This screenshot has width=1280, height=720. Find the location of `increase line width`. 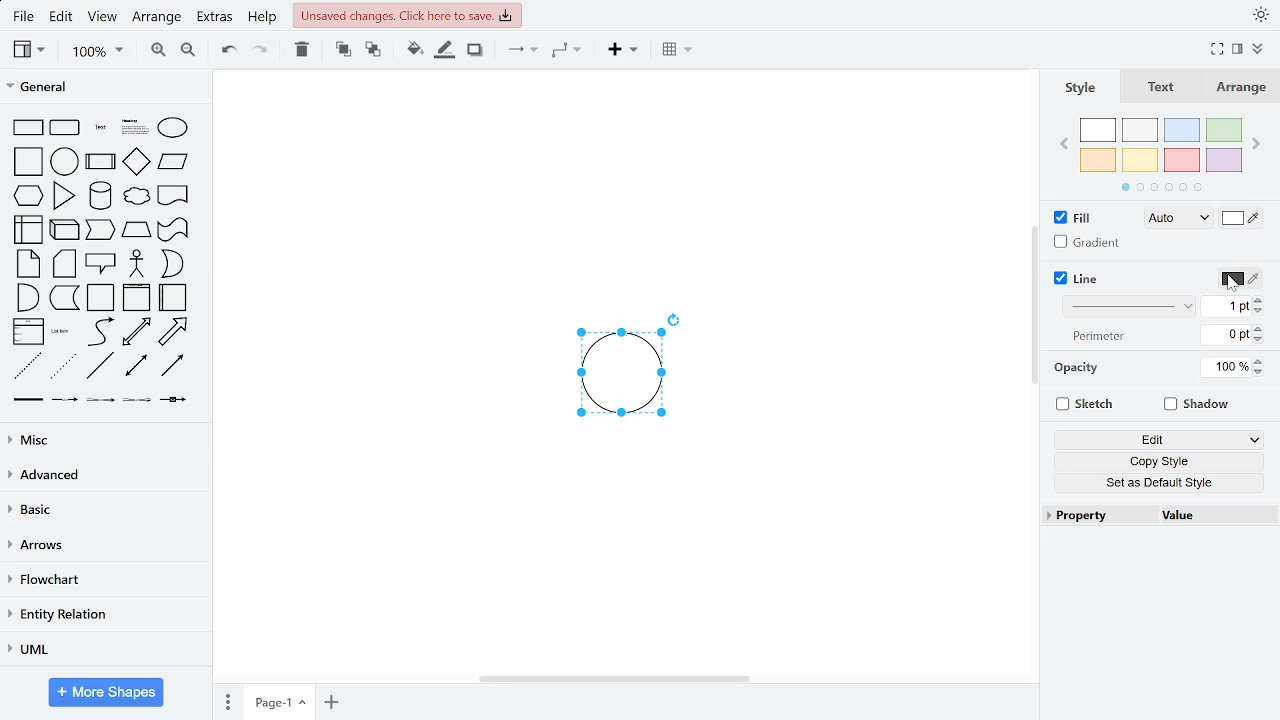

increase line width is located at coordinates (1261, 299).